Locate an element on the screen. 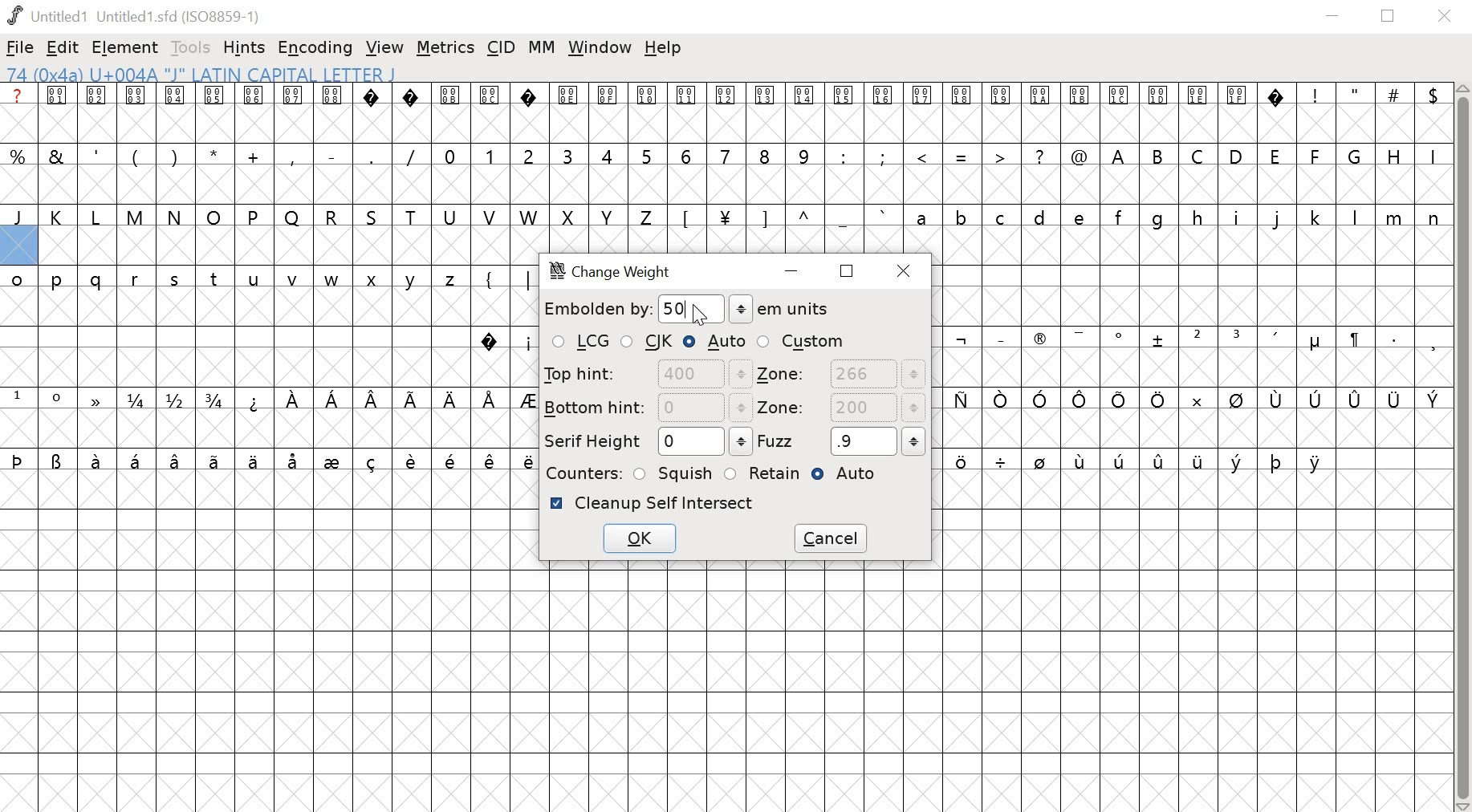 This screenshot has width=1472, height=812. embolden by is located at coordinates (634, 308).